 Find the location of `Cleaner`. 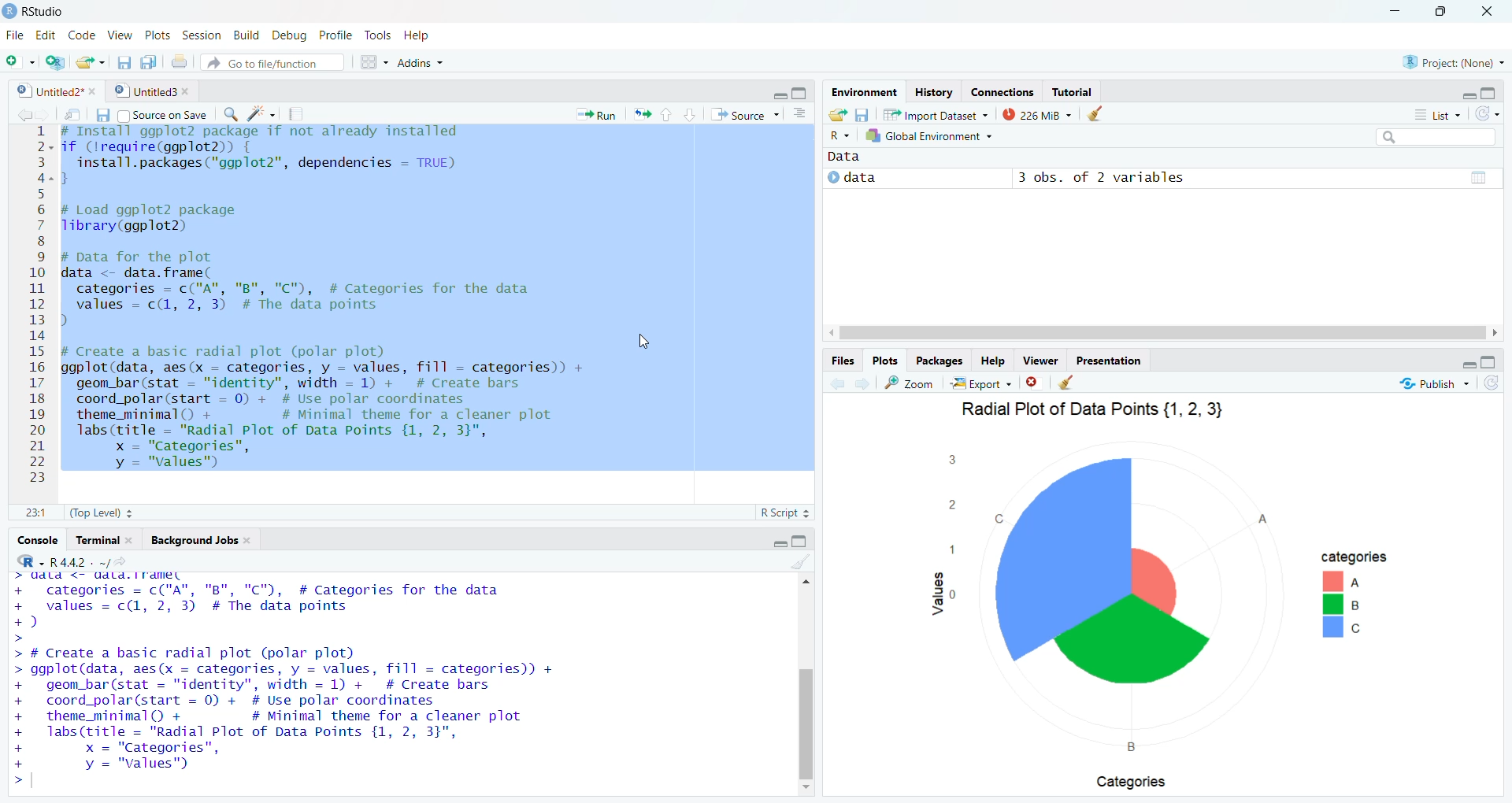

Cleaner is located at coordinates (800, 564).